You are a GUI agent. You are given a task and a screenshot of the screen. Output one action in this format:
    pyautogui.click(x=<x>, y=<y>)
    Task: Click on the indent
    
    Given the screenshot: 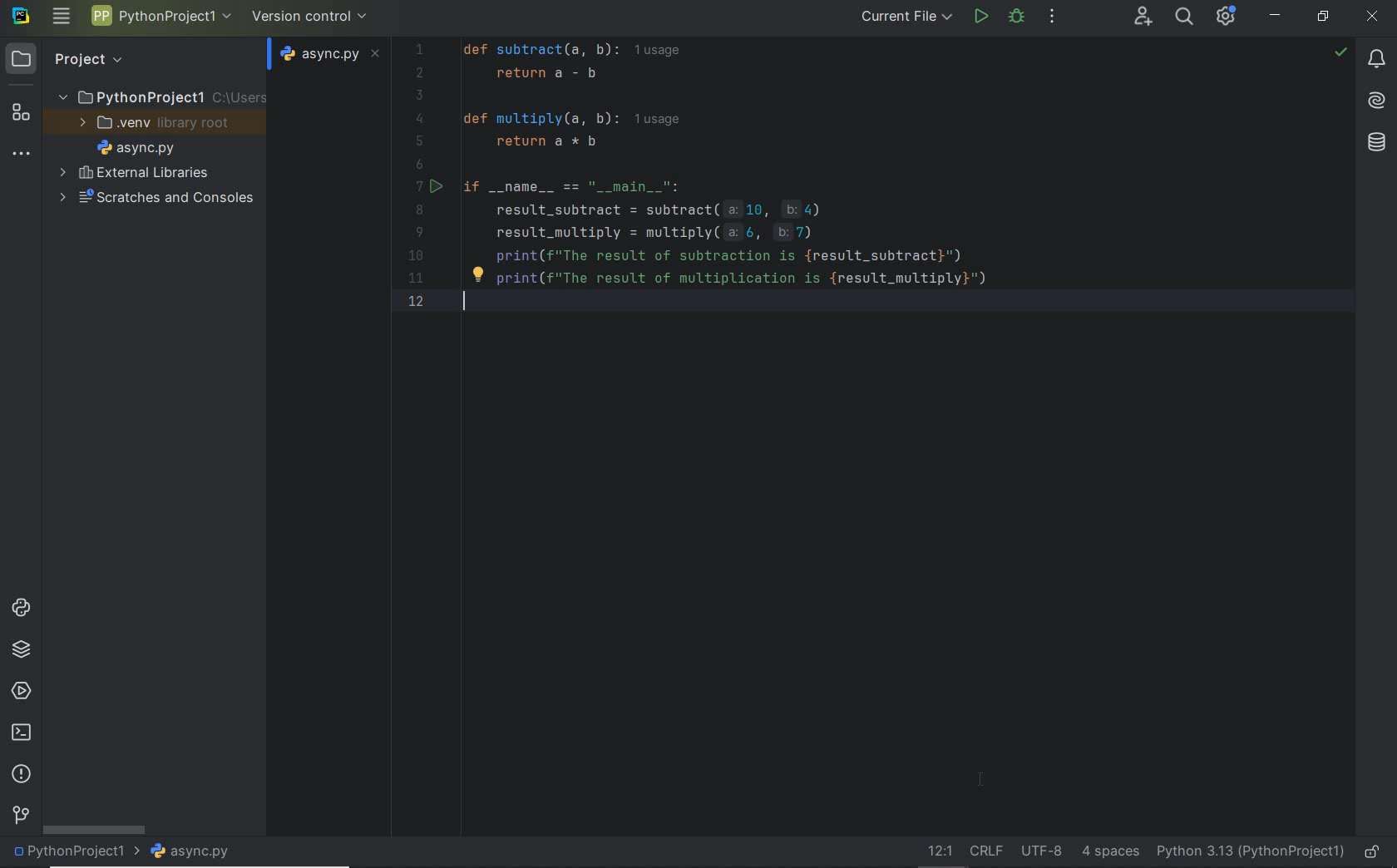 What is the action you would take?
    pyautogui.click(x=1108, y=850)
    